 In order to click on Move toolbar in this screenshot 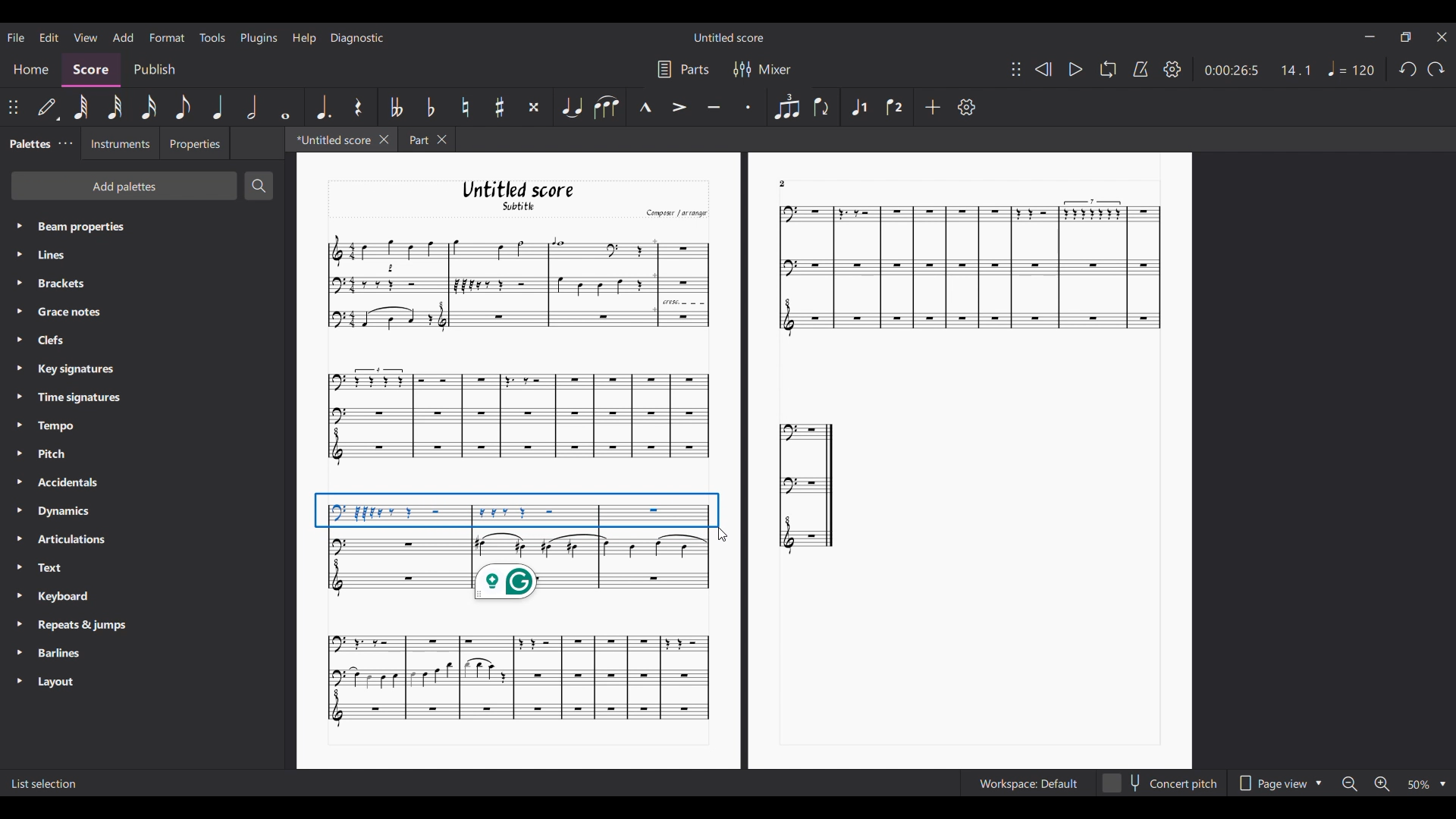, I will do `click(1016, 69)`.